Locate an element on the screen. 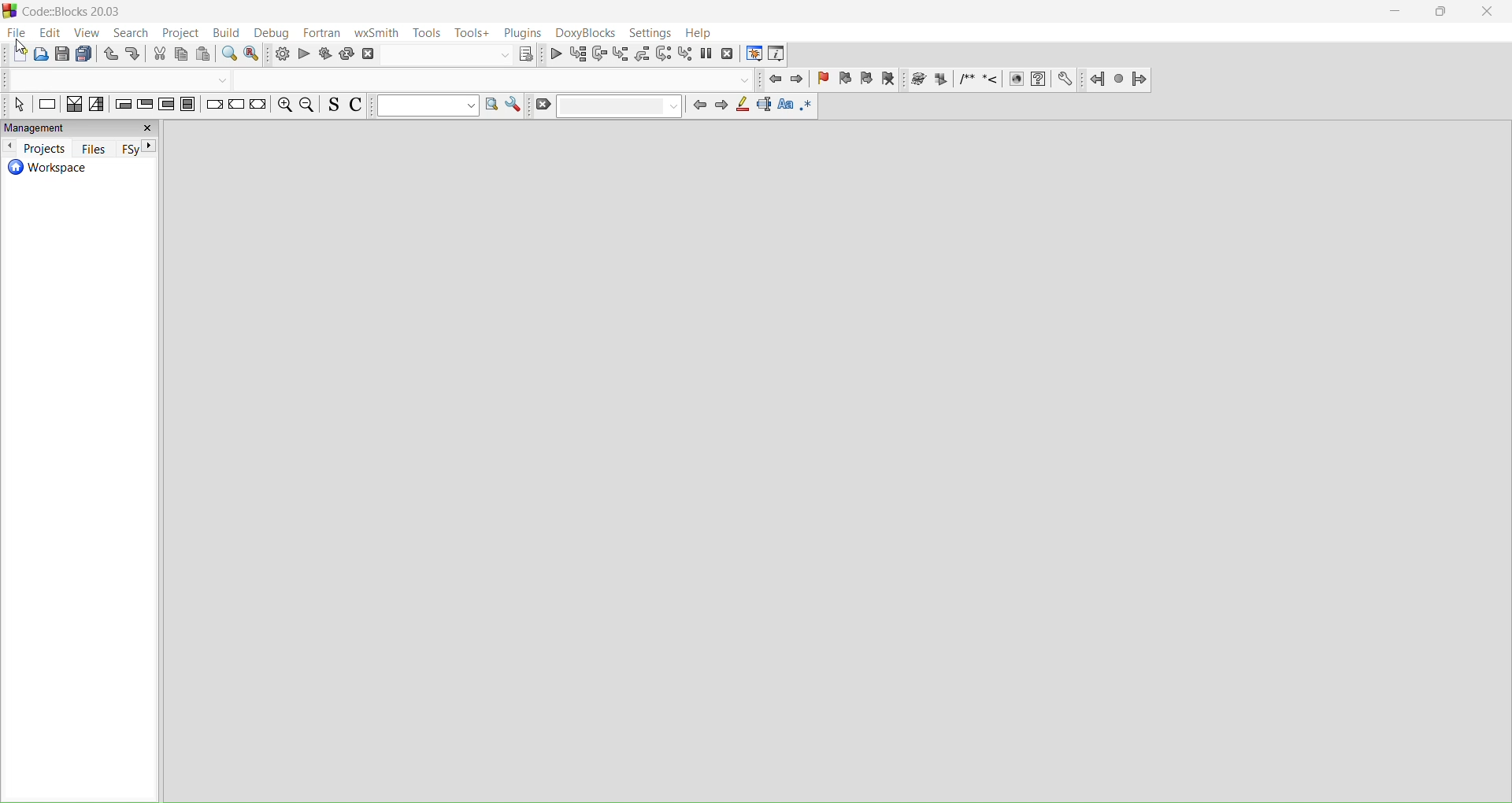 Image resolution: width=1512 pixels, height=803 pixels. close is located at coordinates (1488, 12).